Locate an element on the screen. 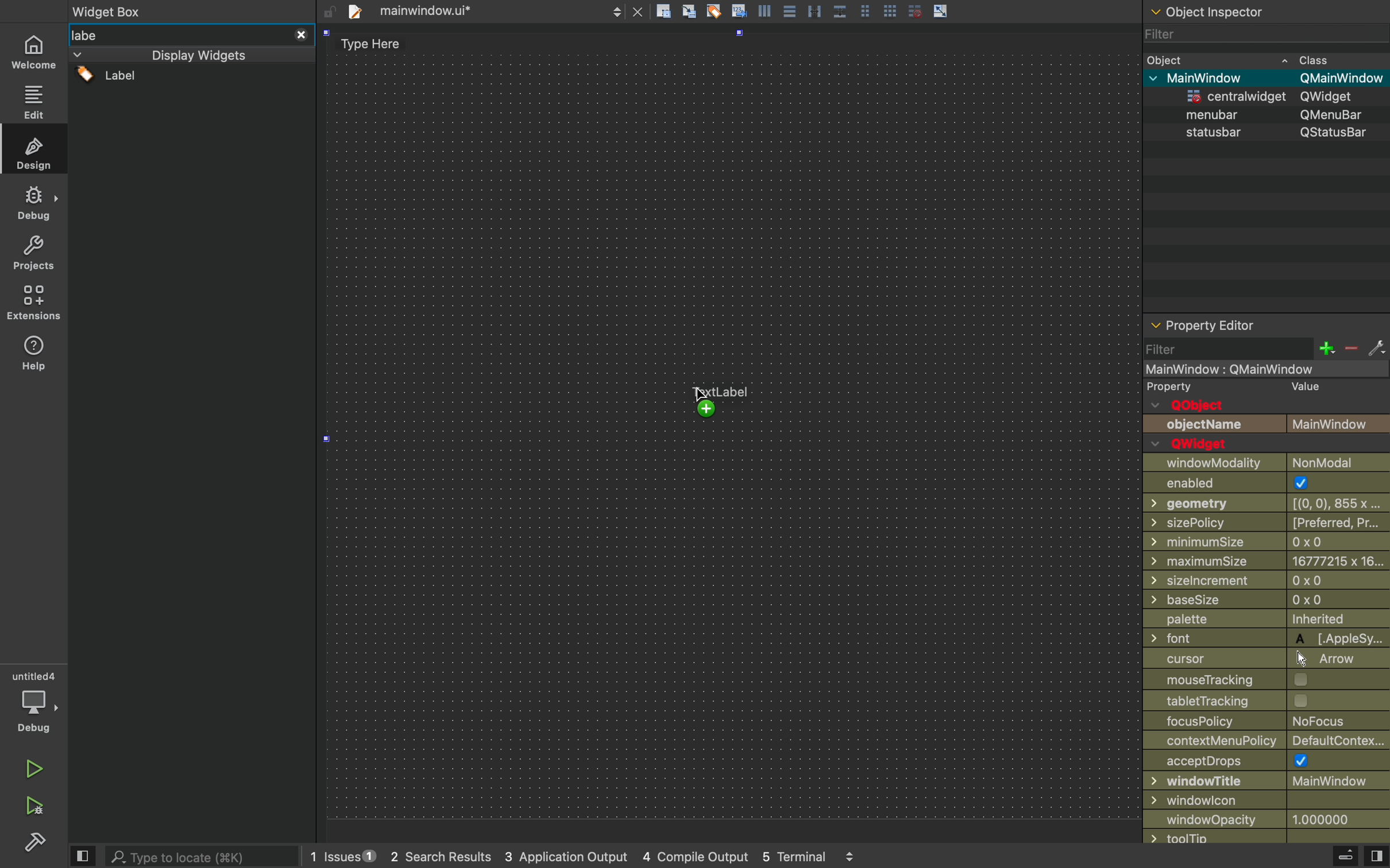 This screenshot has height=868, width=1390.  is located at coordinates (1267, 640).